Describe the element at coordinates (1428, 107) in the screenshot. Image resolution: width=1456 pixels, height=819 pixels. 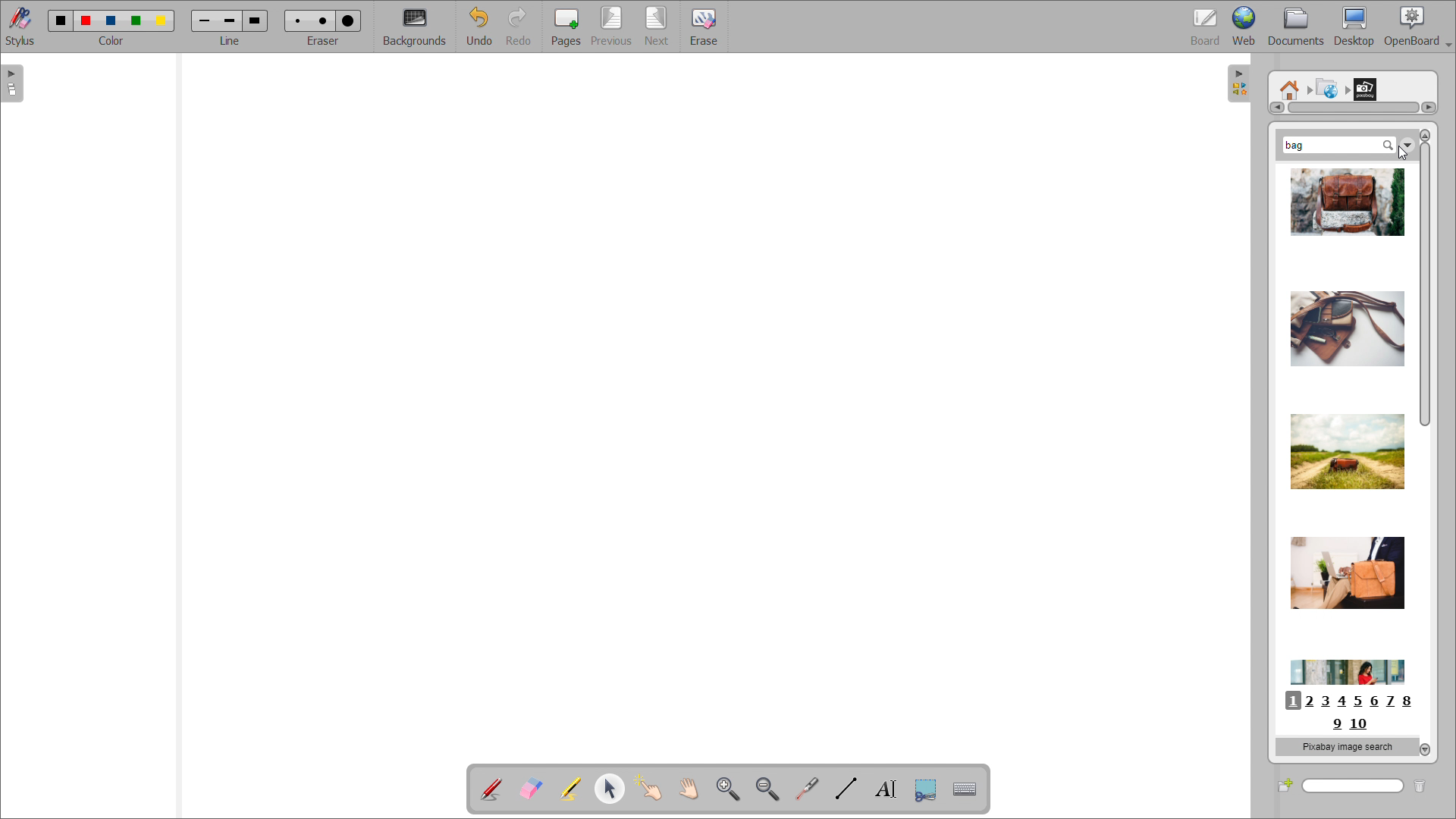
I see `scroll right` at that location.